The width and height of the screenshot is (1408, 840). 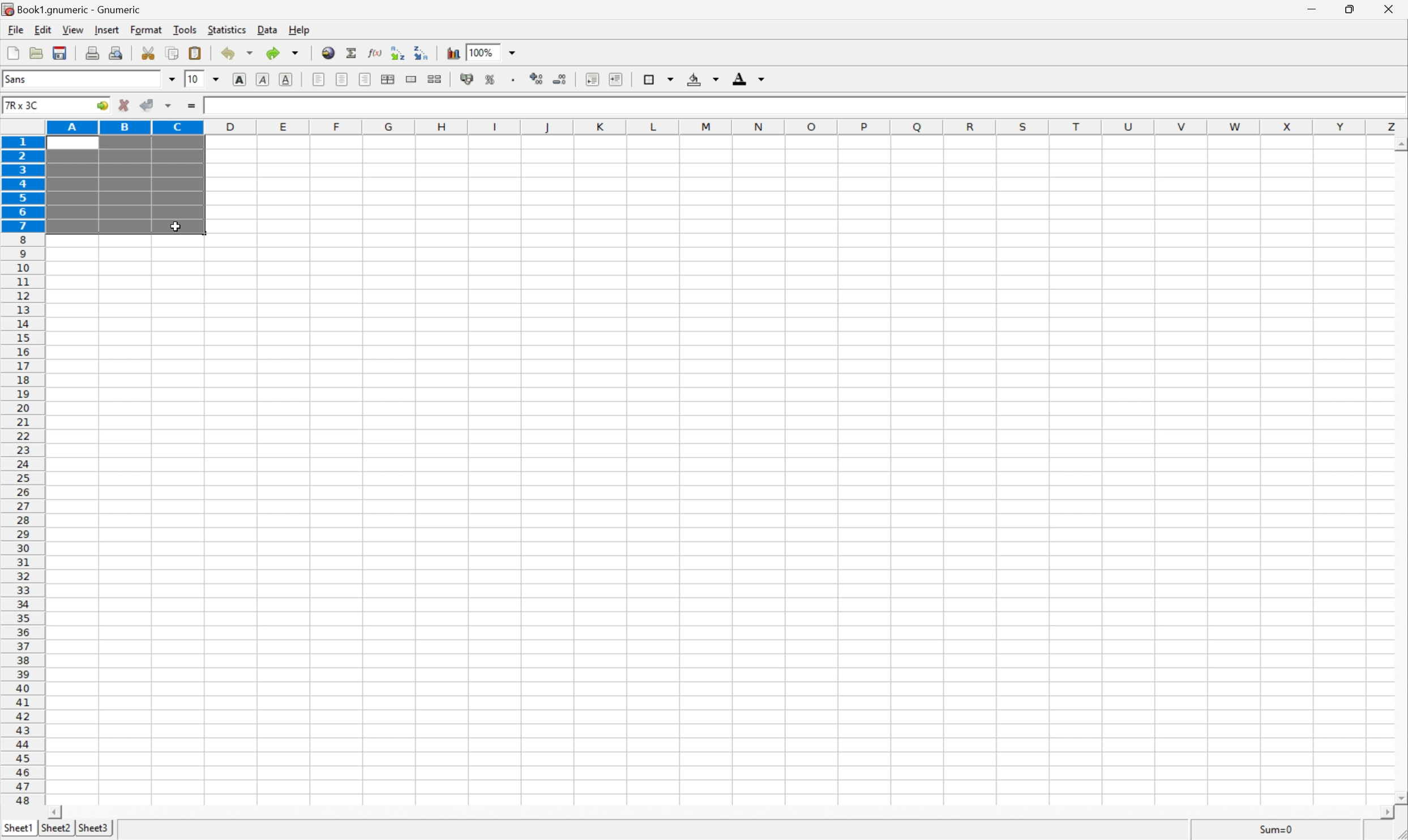 I want to click on align left, so click(x=319, y=79).